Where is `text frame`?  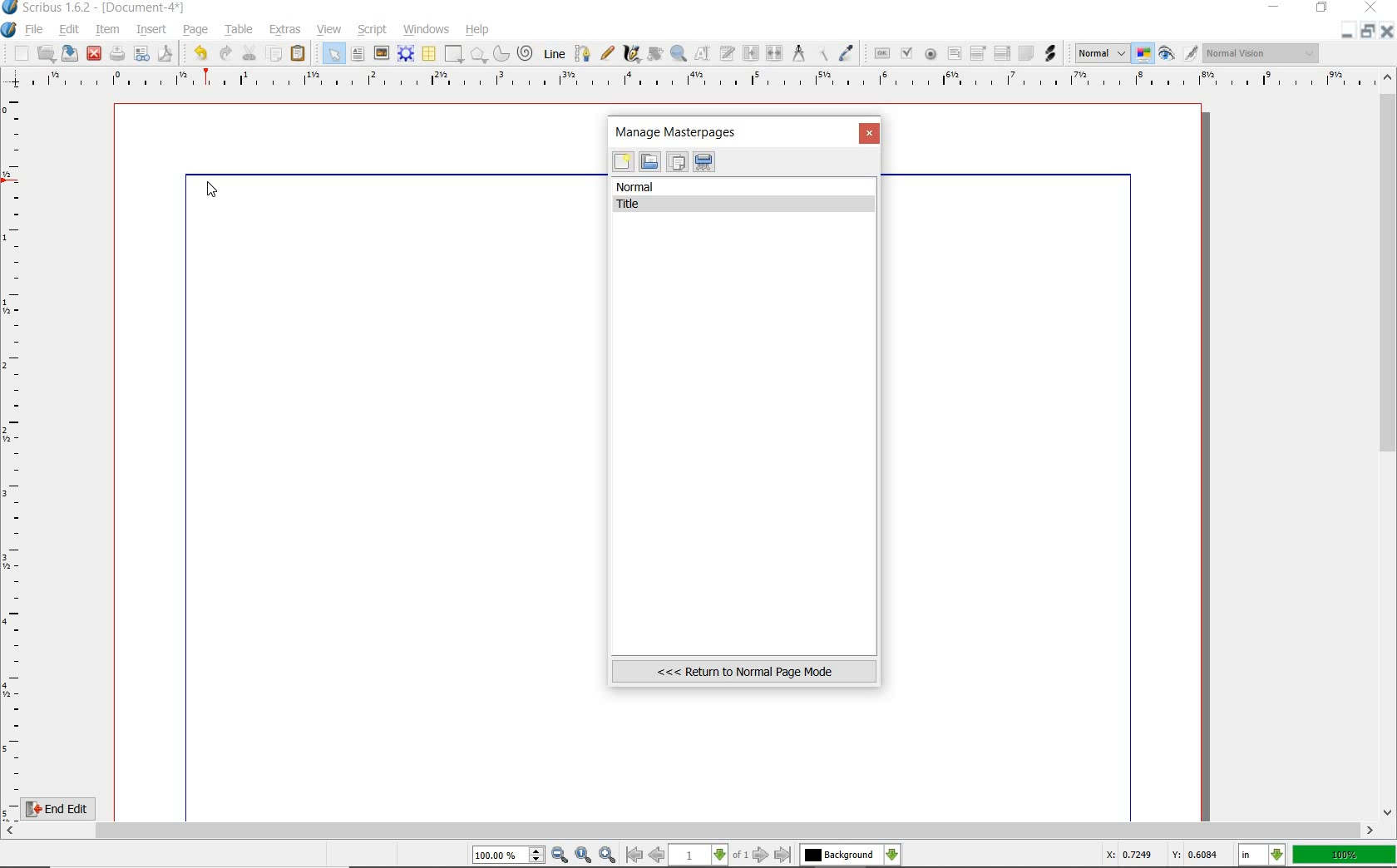 text frame is located at coordinates (359, 54).